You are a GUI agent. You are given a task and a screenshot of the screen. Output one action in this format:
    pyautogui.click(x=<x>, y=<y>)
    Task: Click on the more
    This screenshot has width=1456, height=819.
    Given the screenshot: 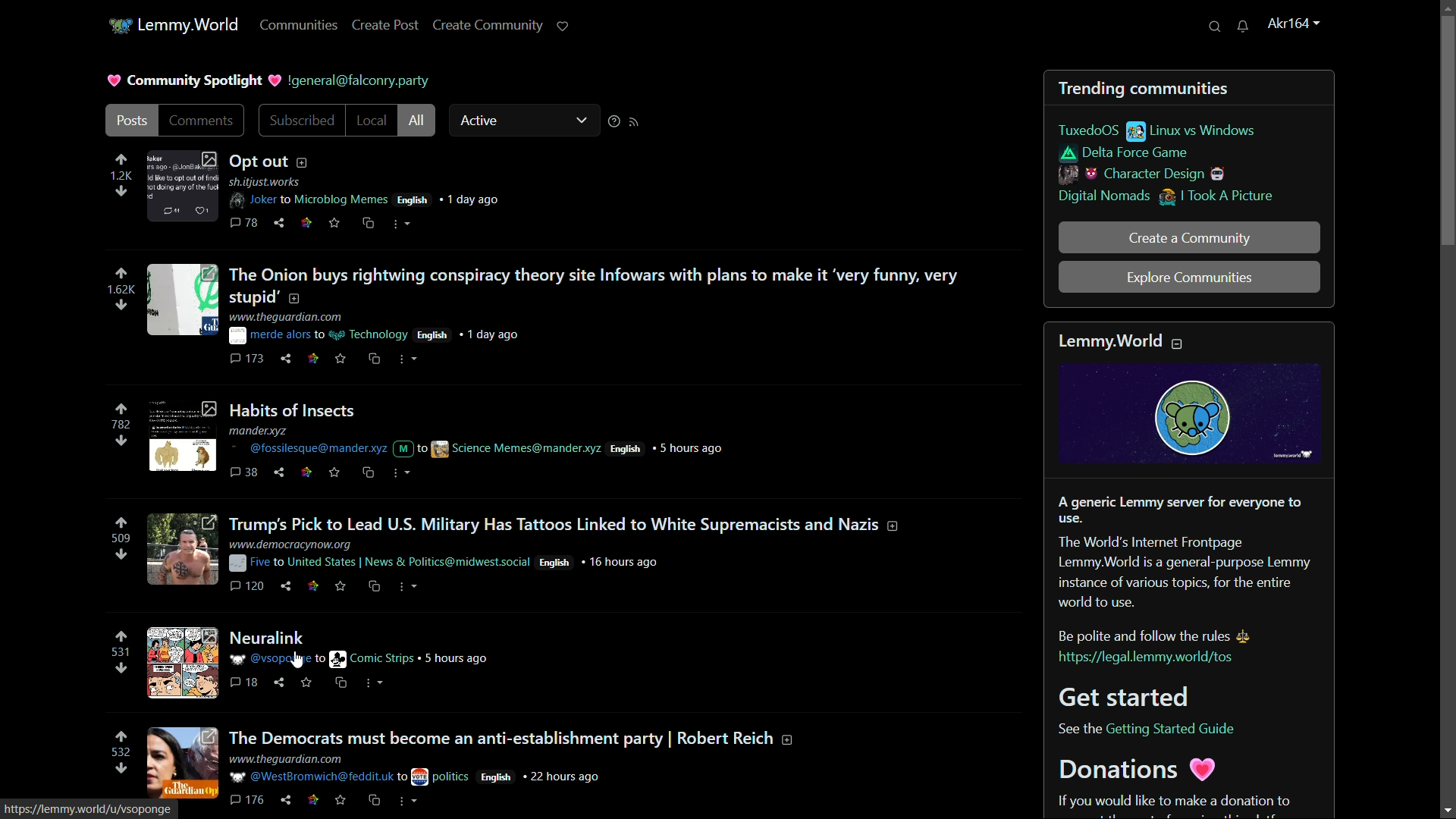 What is the action you would take?
    pyautogui.click(x=409, y=802)
    